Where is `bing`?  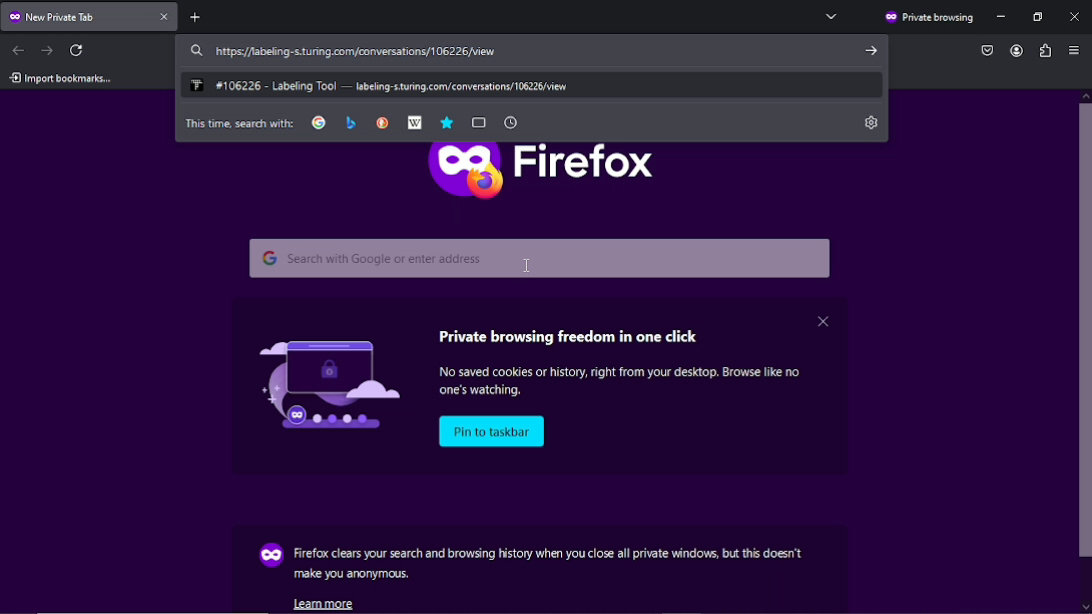
bing is located at coordinates (351, 122).